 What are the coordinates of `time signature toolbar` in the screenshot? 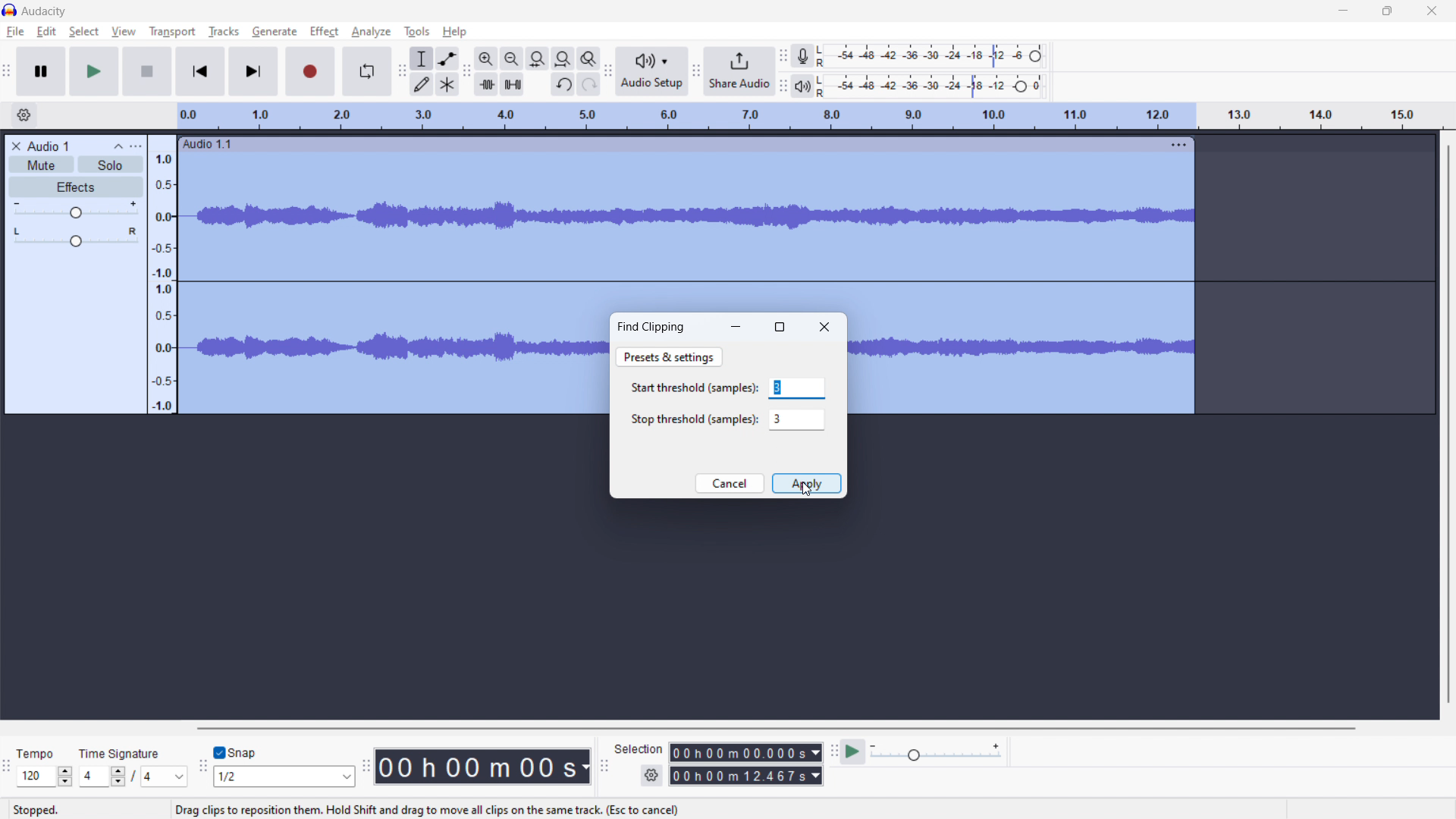 It's located at (132, 777).